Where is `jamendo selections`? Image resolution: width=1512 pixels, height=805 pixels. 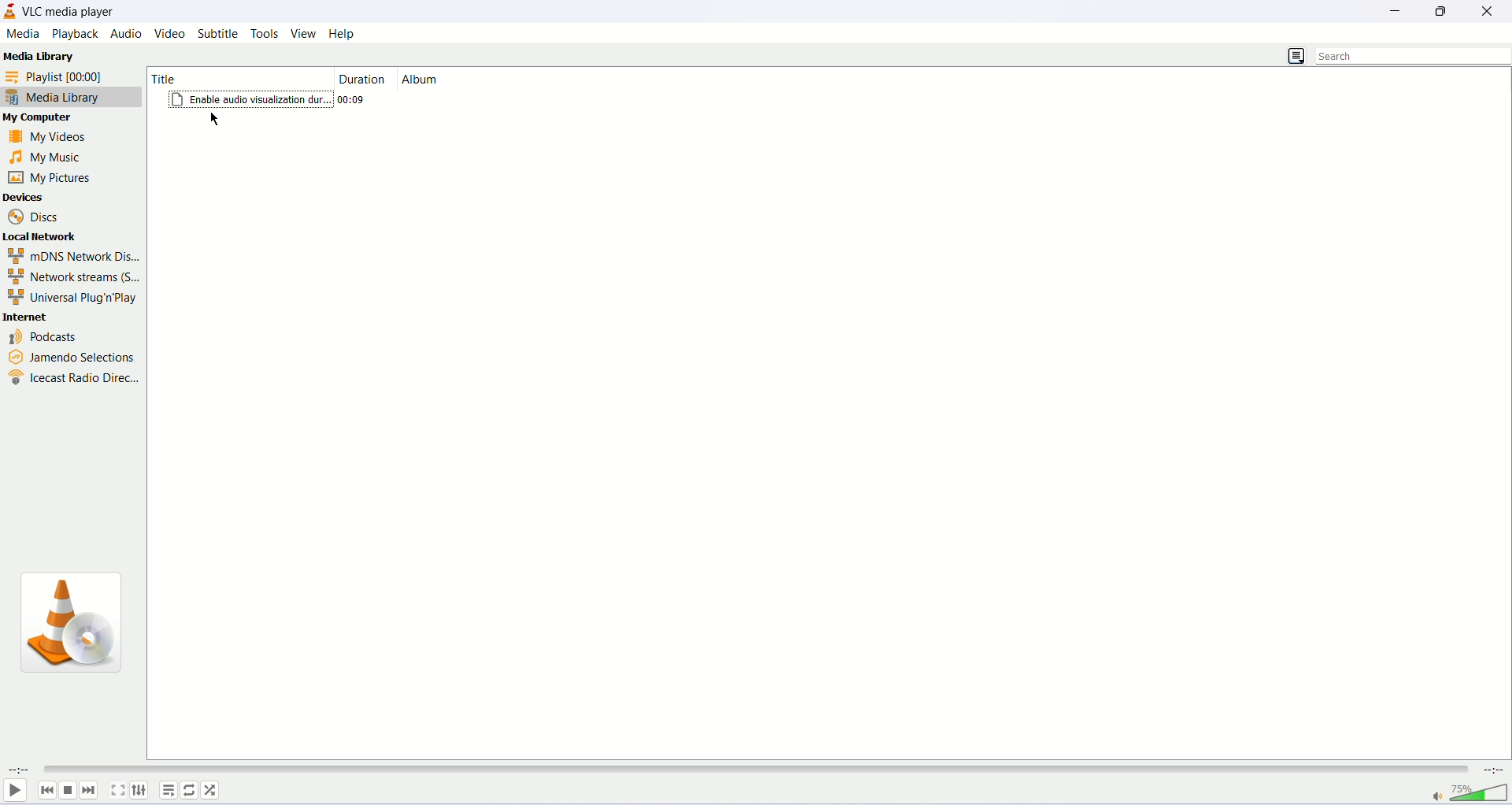 jamendo selections is located at coordinates (68, 354).